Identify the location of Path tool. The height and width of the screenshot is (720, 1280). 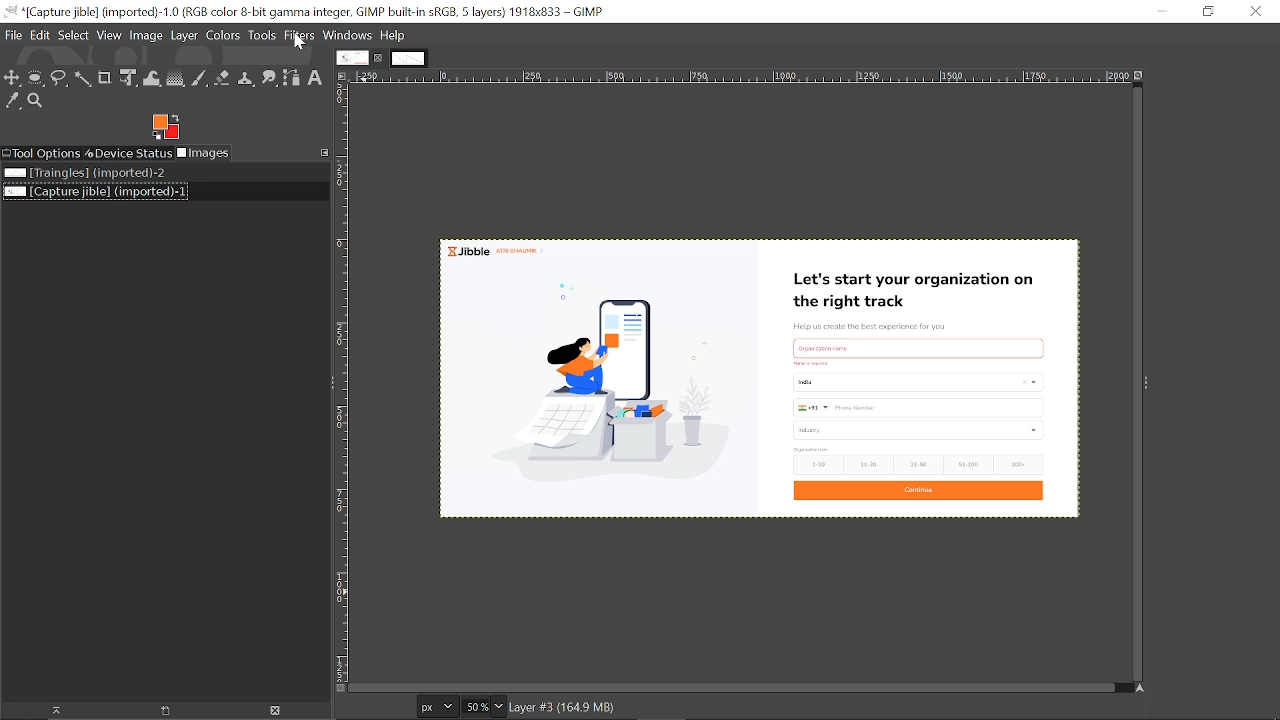
(291, 77).